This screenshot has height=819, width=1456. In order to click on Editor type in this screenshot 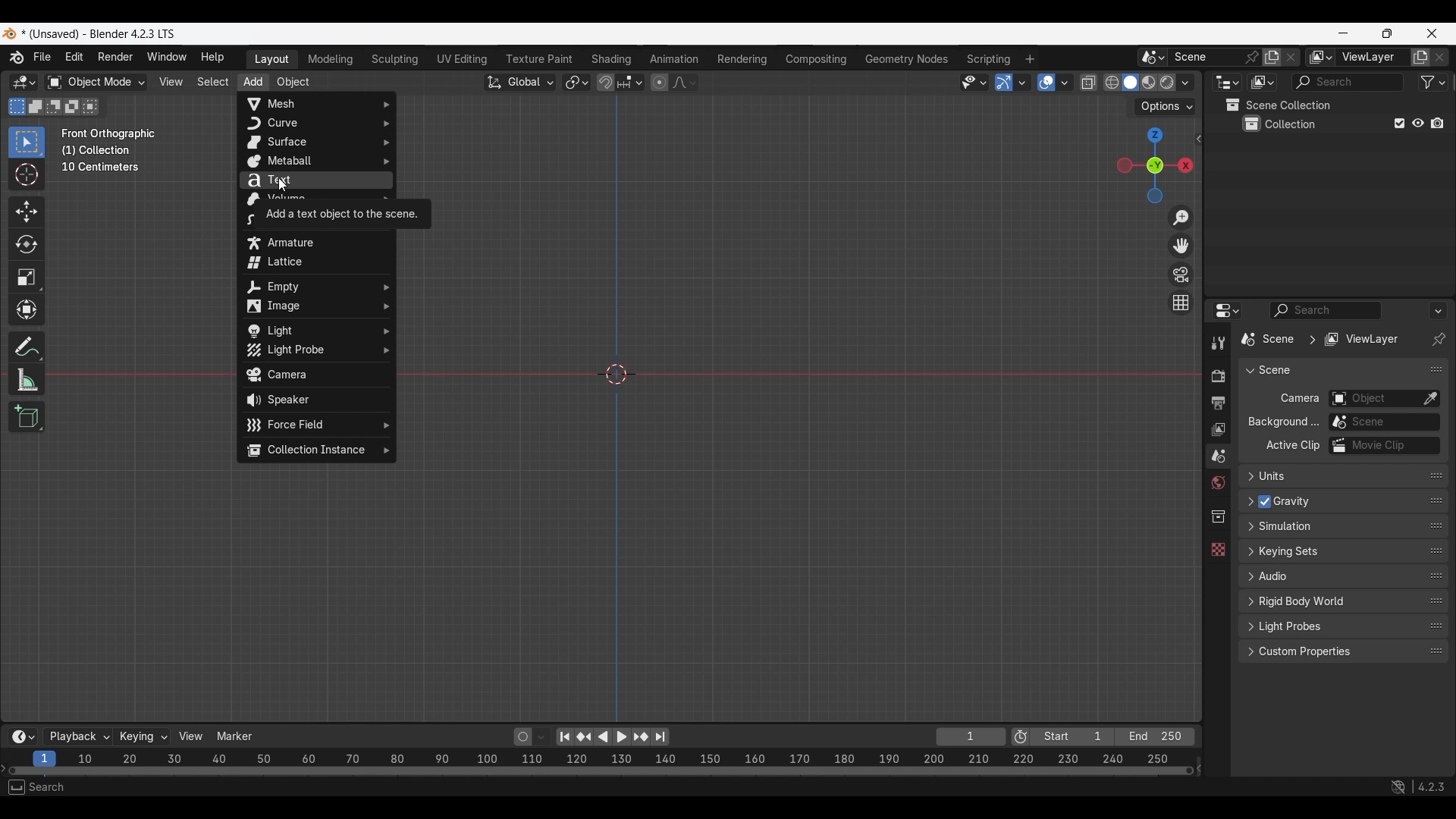, I will do `click(1227, 82)`.